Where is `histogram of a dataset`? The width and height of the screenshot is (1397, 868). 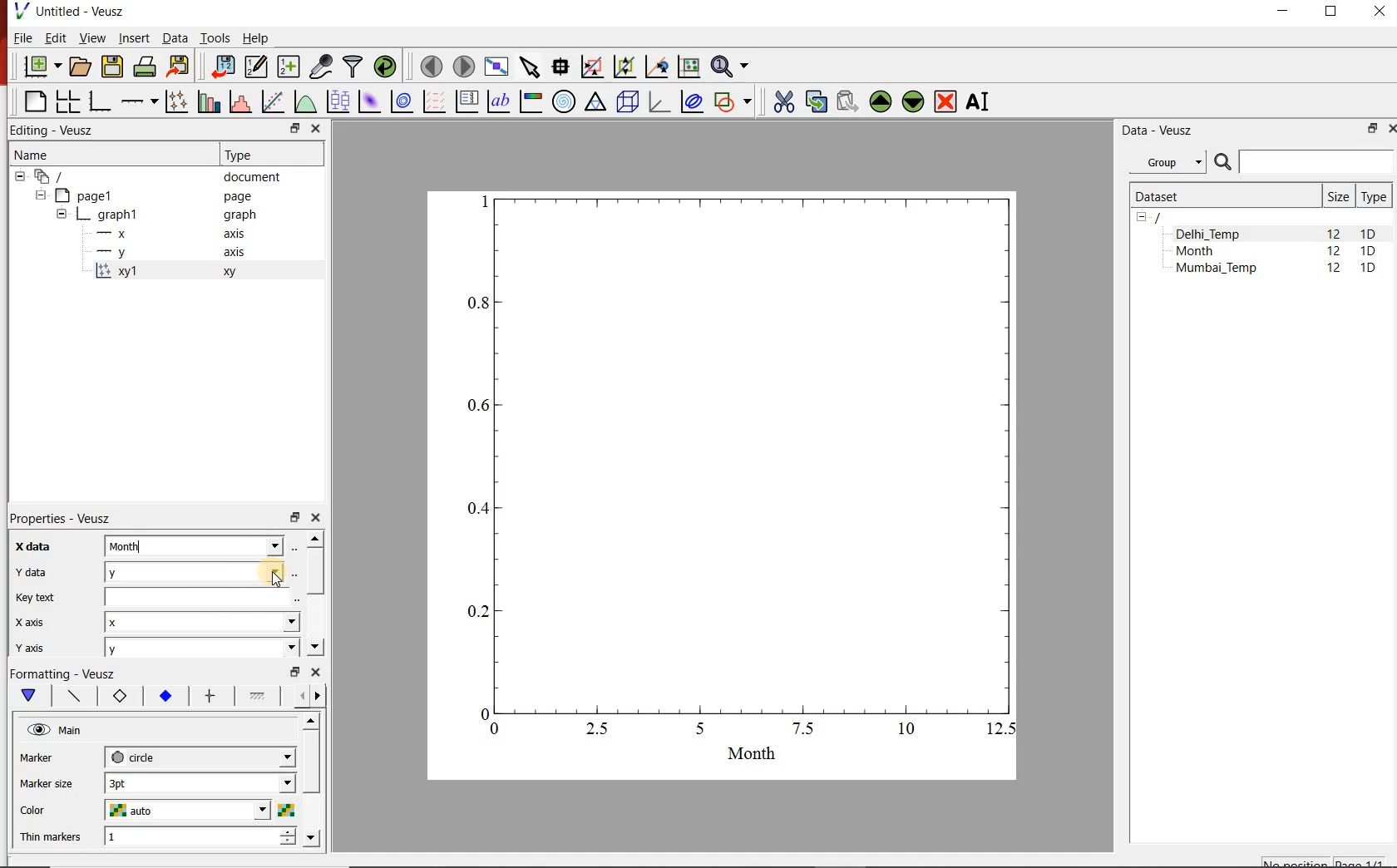 histogram of a dataset is located at coordinates (239, 101).